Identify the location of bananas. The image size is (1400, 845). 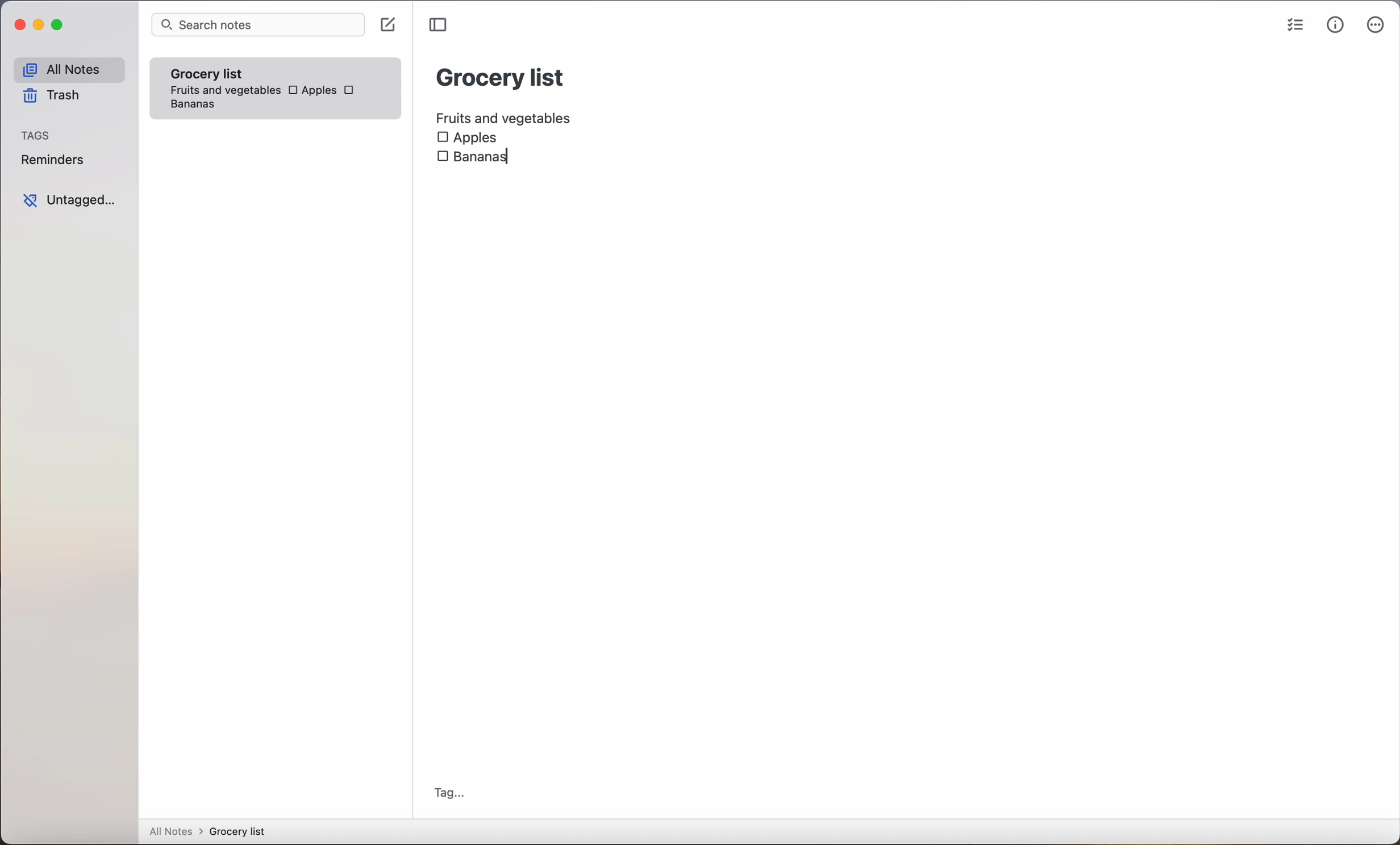
(485, 156).